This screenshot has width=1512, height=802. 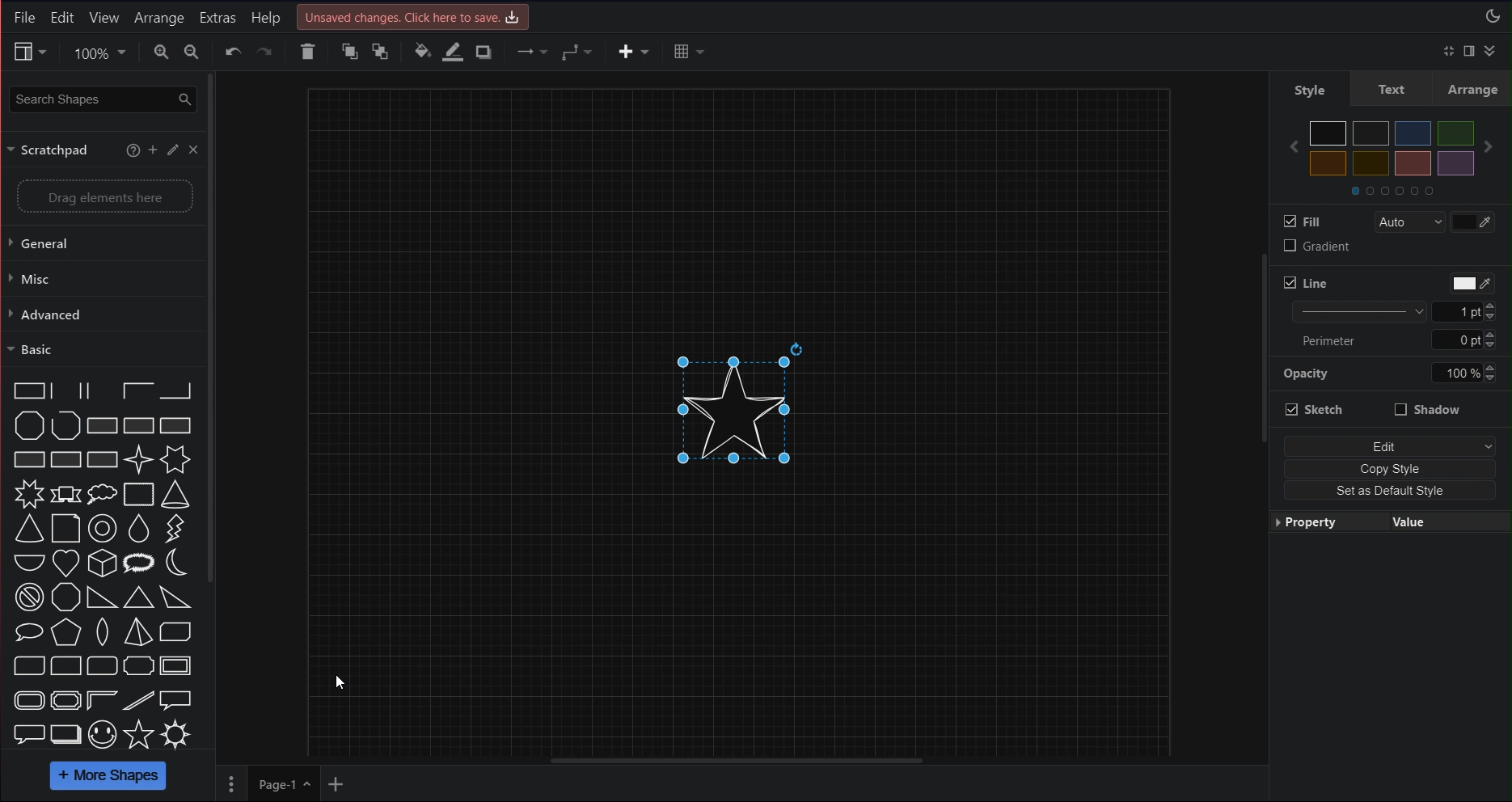 I want to click on Perimeter, so click(x=1397, y=340).